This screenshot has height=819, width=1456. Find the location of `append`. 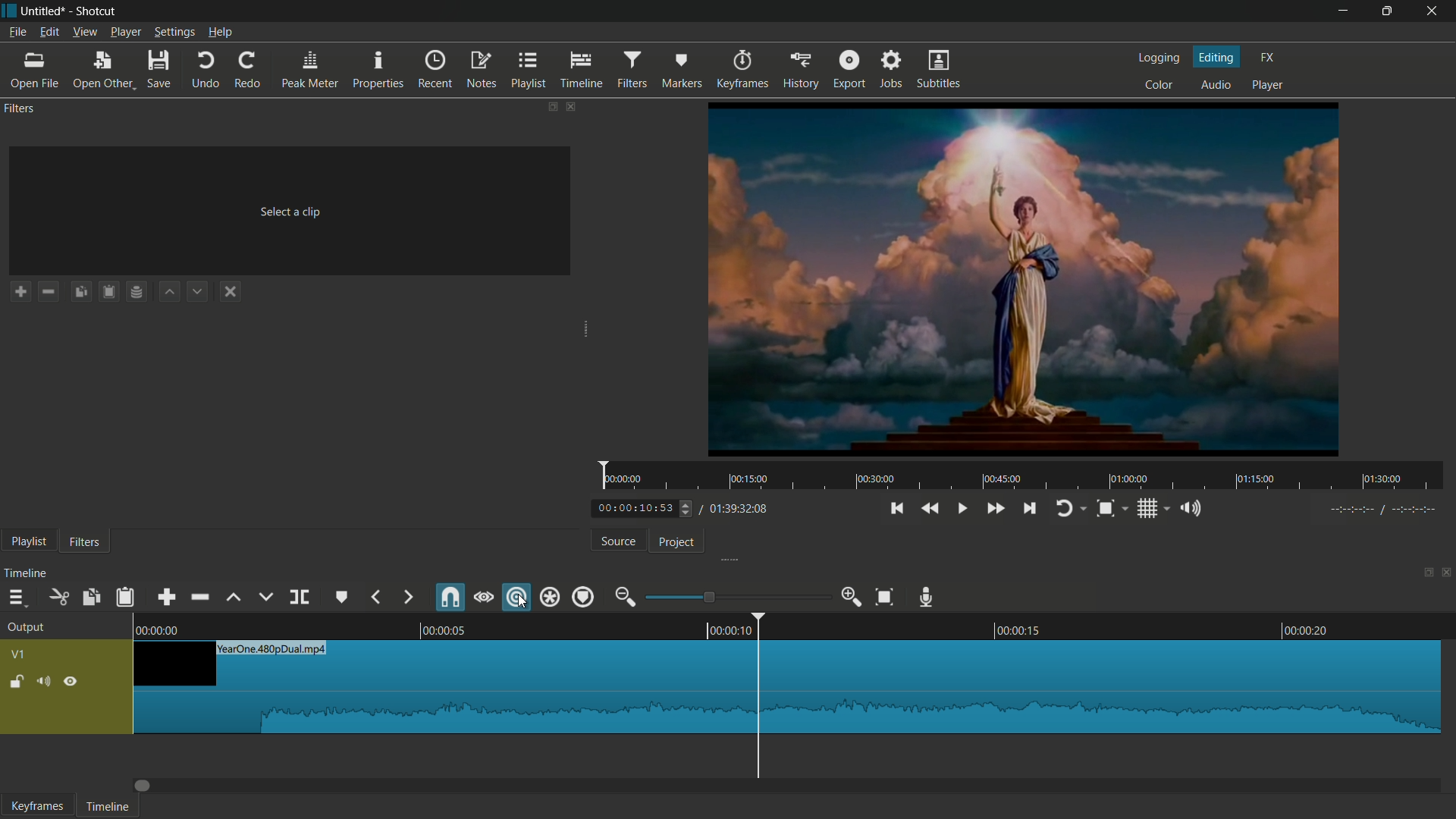

append is located at coordinates (166, 597).